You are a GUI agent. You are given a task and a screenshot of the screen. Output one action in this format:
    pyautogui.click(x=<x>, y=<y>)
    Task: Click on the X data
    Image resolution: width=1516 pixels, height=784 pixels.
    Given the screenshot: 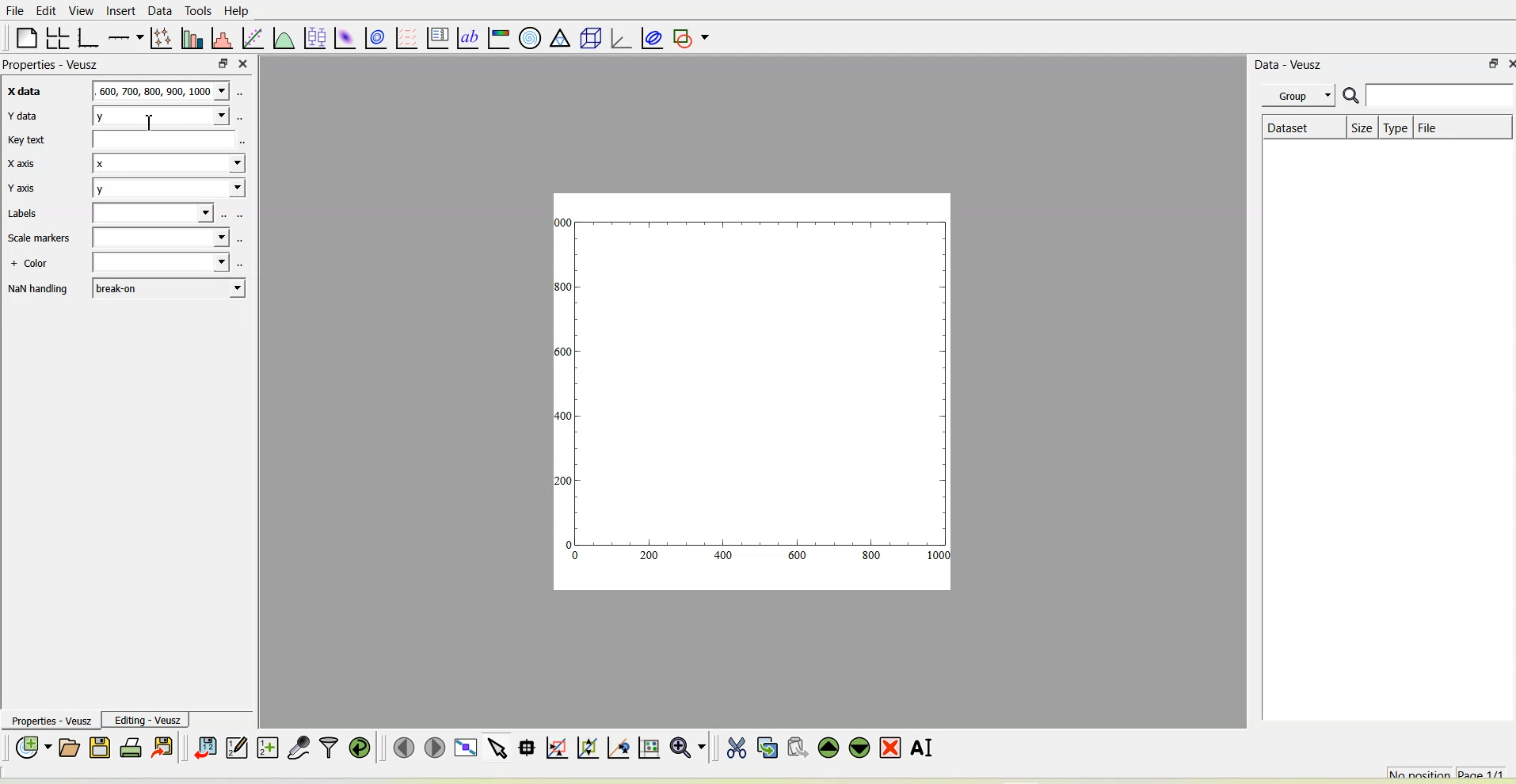 What is the action you would take?
    pyautogui.click(x=30, y=89)
    